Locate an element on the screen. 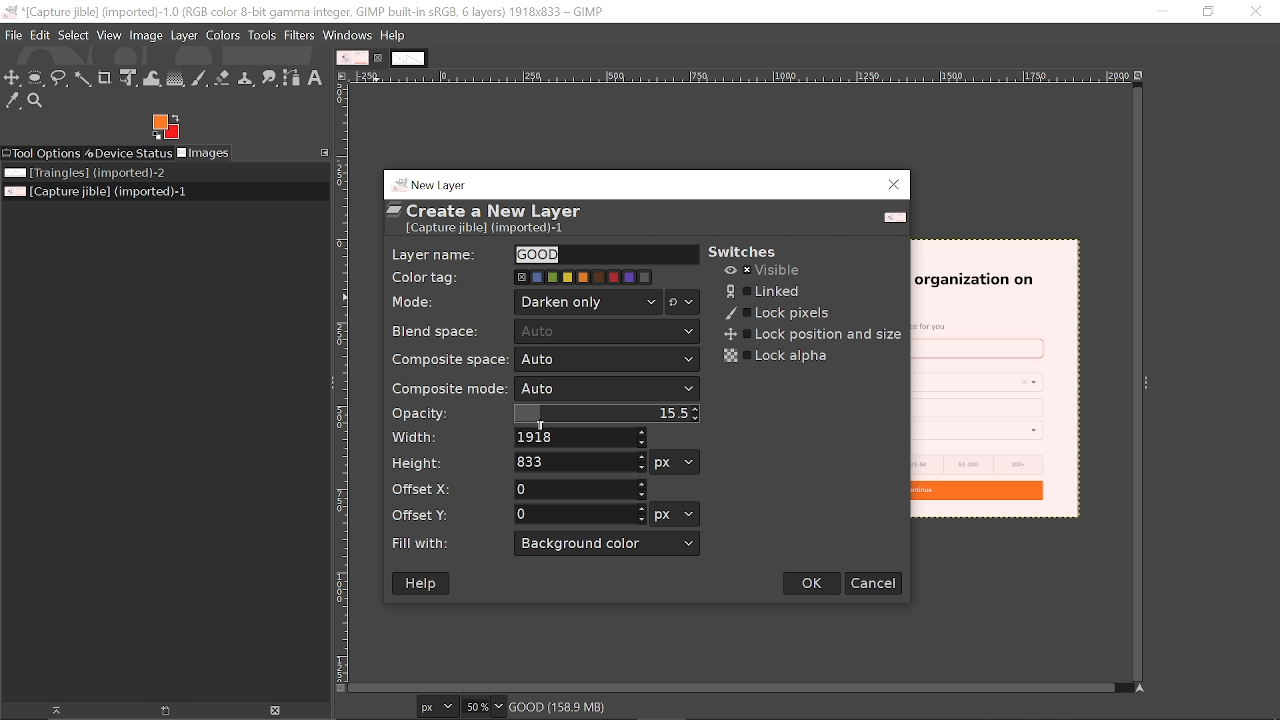  Current zoom is located at coordinates (478, 706).